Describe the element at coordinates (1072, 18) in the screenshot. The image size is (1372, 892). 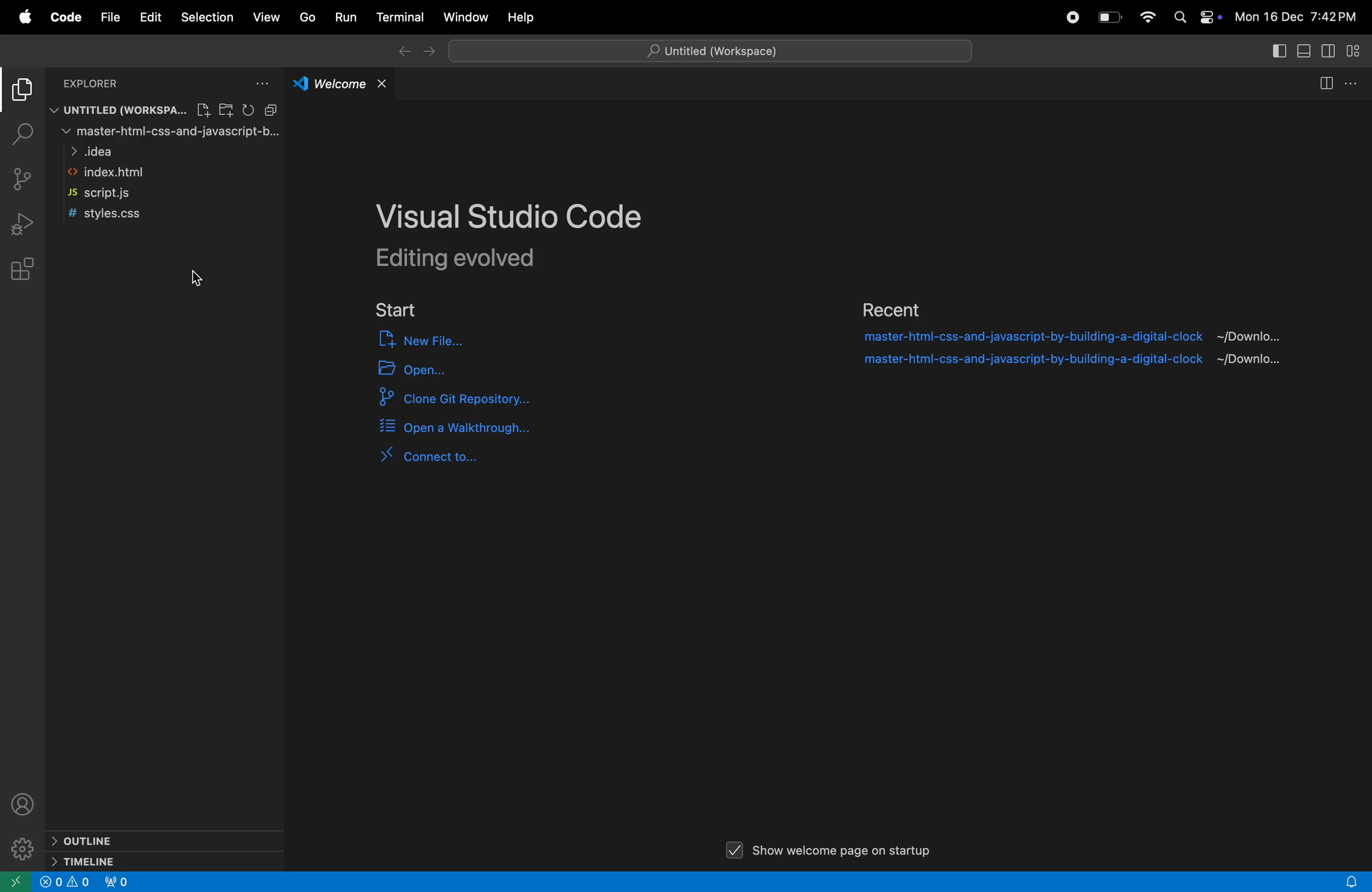
I see `record` at that location.